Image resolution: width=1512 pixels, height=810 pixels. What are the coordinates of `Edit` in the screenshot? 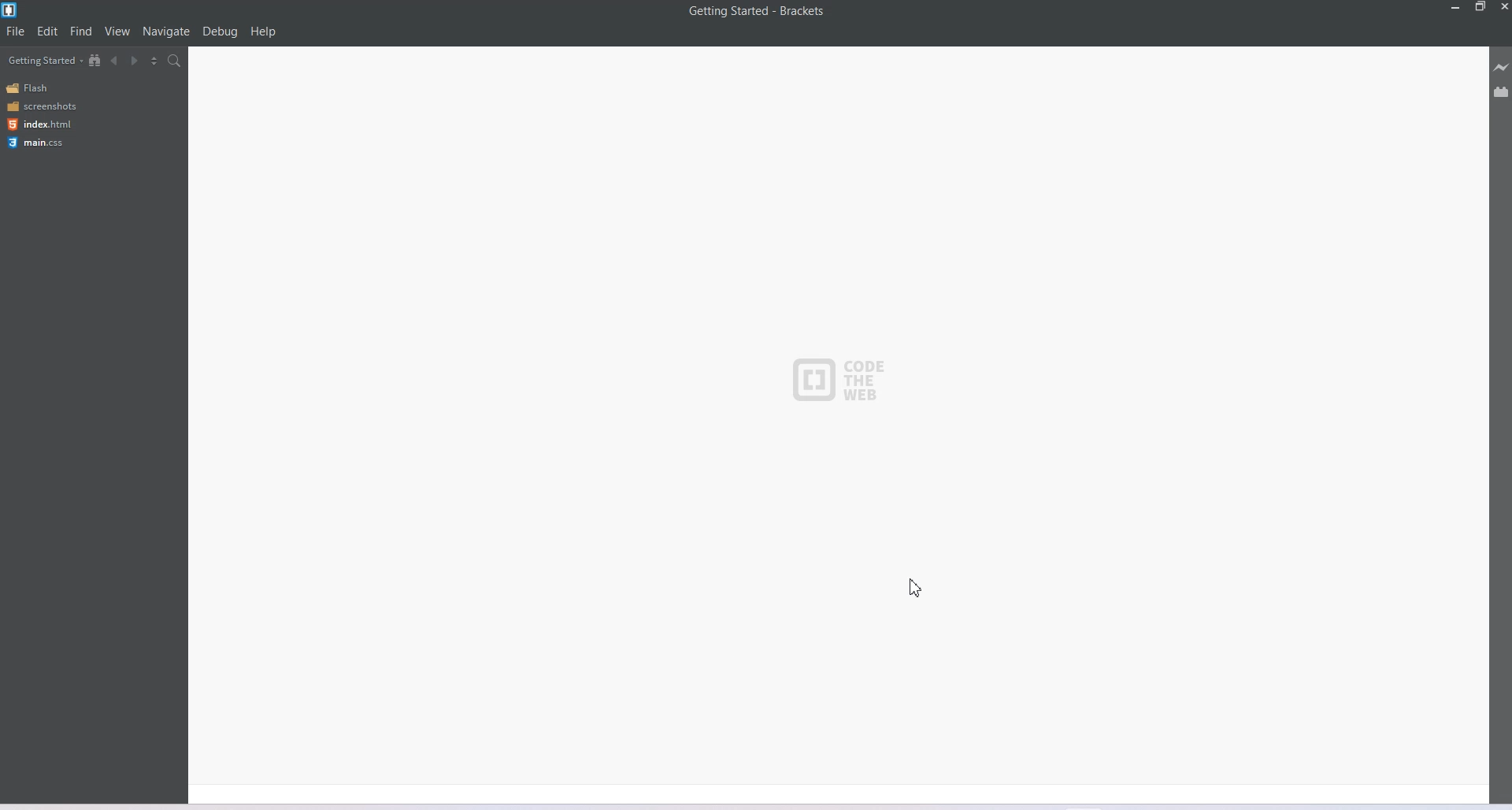 It's located at (47, 32).